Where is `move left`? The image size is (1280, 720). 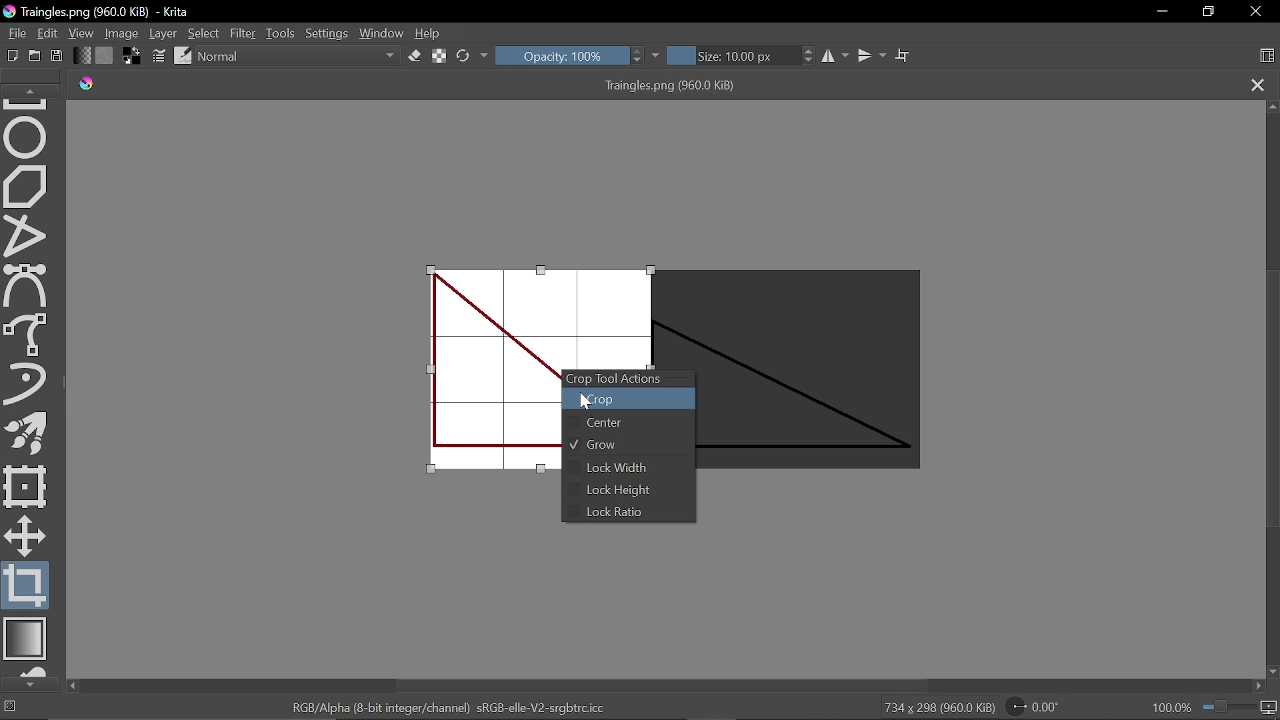 move left is located at coordinates (72, 686).